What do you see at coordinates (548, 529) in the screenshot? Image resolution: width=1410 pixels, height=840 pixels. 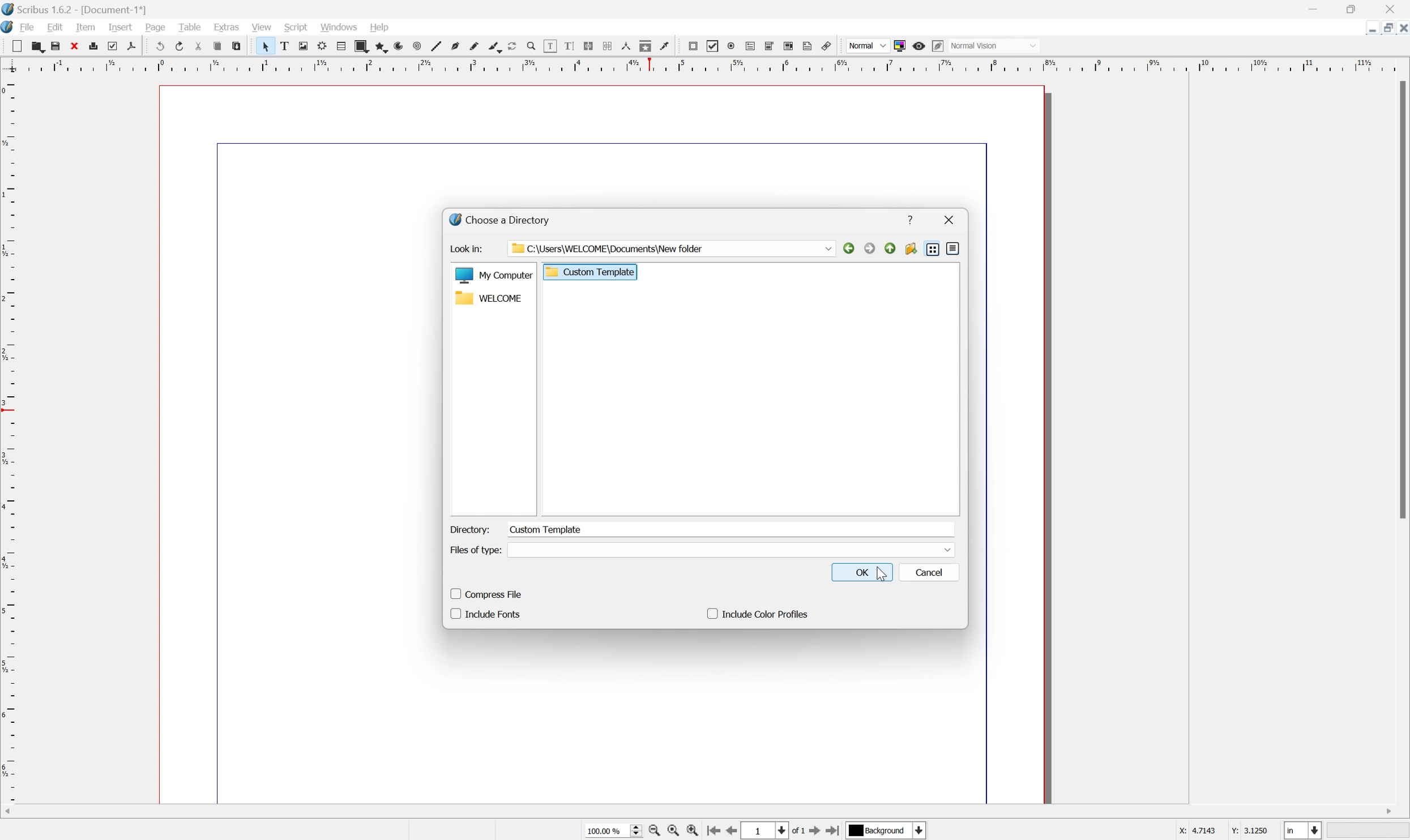 I see `Custom Template` at bounding box center [548, 529].